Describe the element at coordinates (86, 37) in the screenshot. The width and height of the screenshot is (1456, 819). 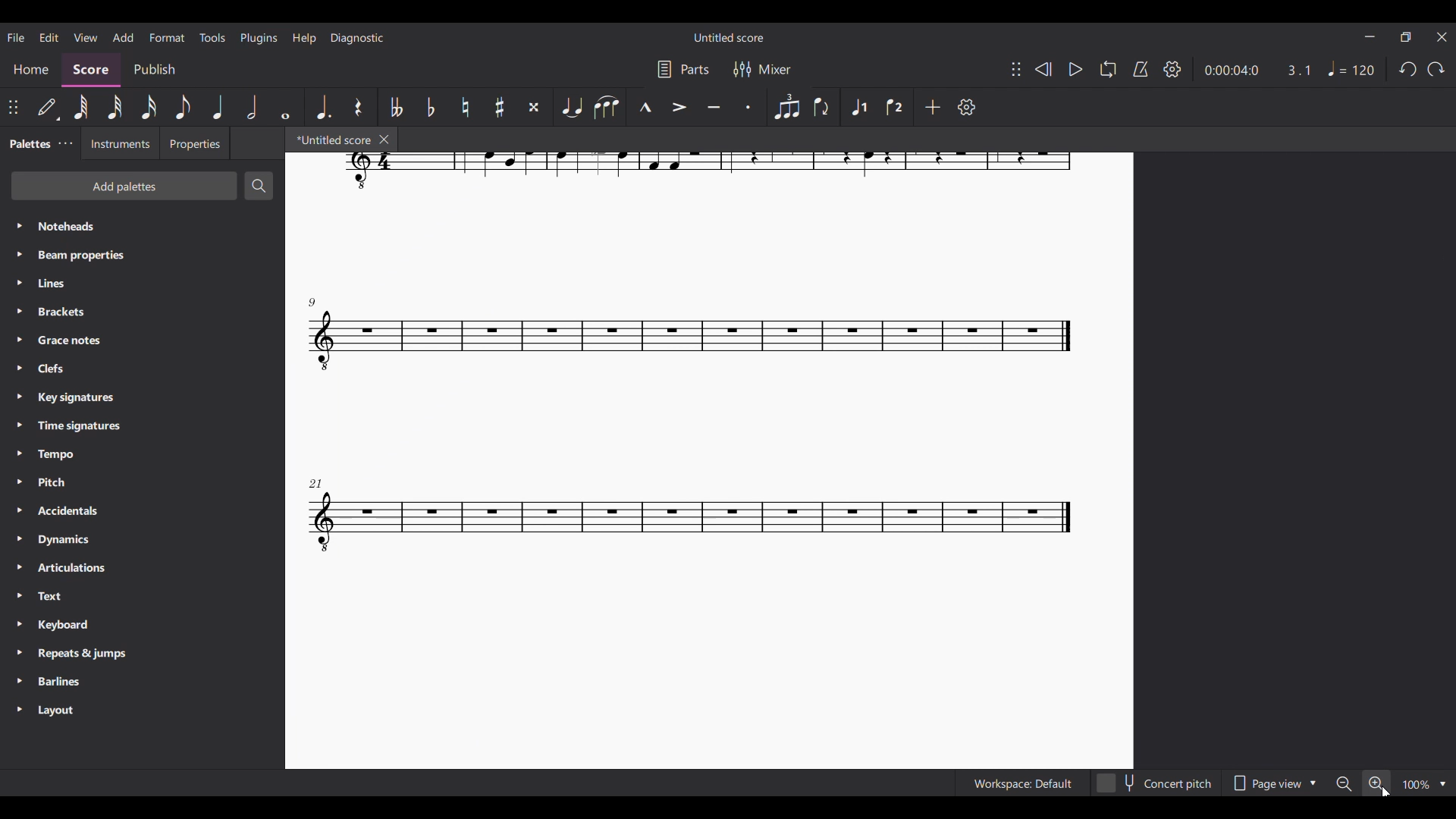
I see `View menu` at that location.